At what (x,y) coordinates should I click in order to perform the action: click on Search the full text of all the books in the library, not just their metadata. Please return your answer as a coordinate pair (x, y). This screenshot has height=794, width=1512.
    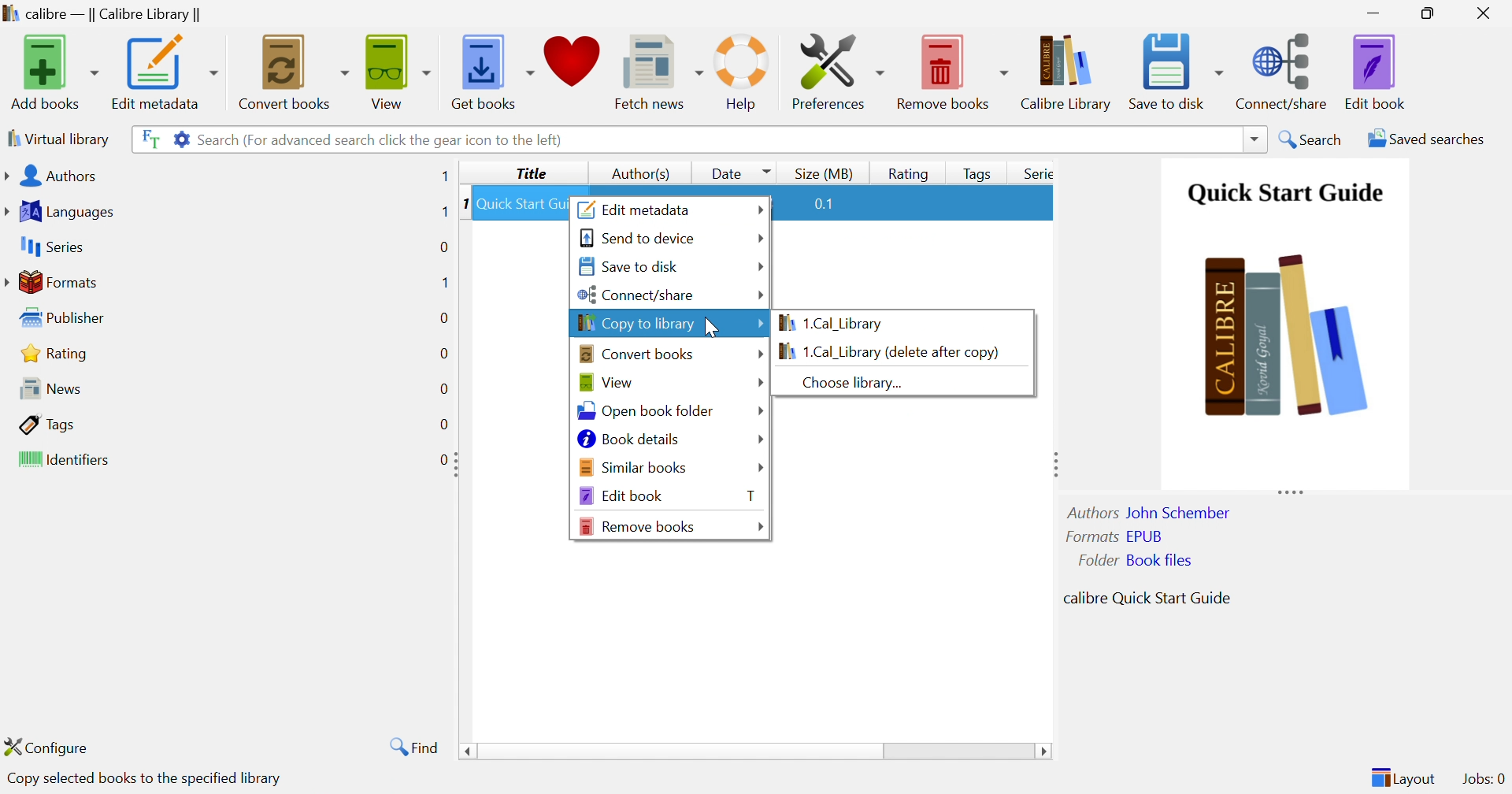
    Looking at the image, I should click on (147, 136).